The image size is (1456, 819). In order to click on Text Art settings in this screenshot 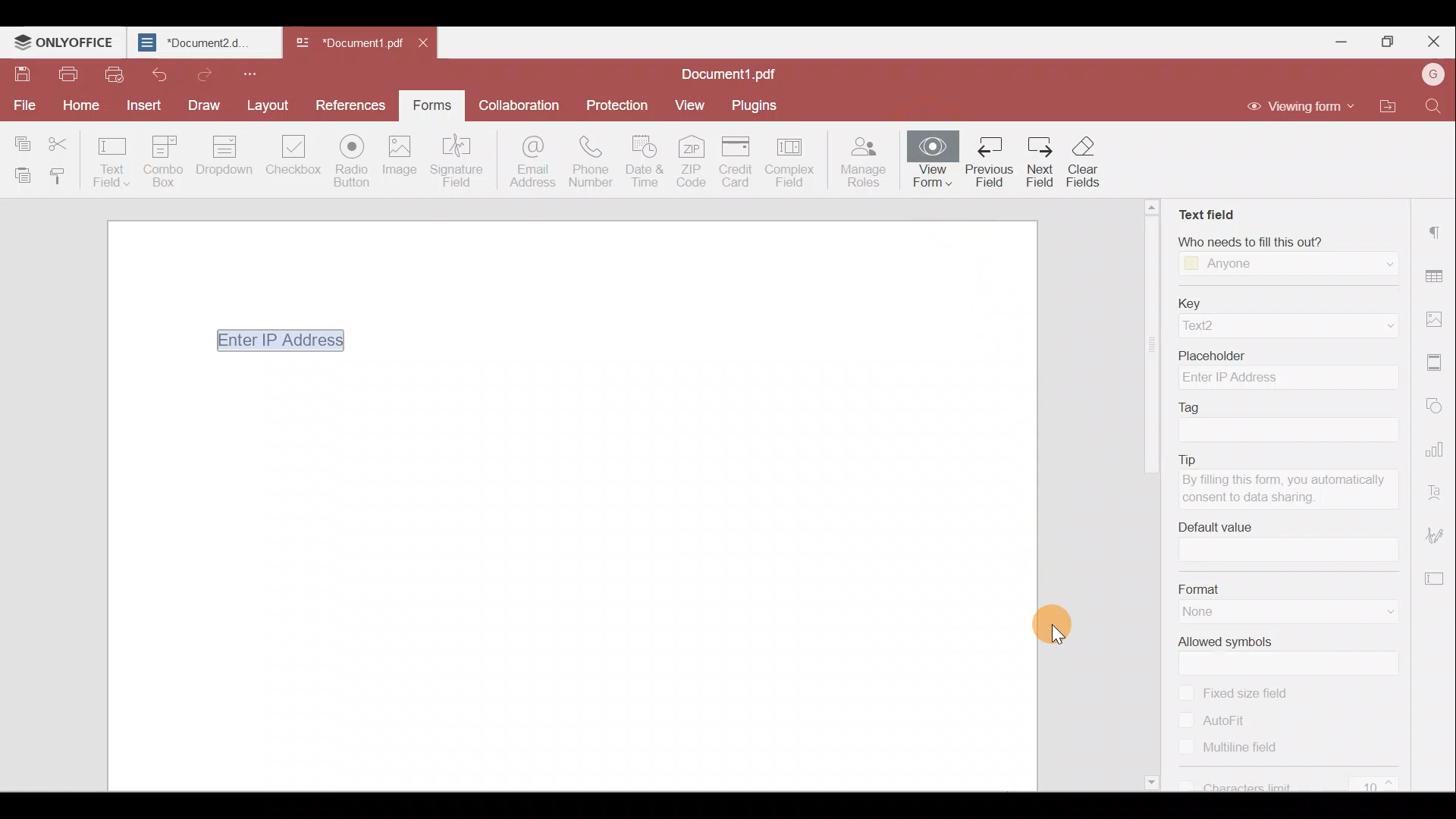, I will do `click(1438, 488)`.